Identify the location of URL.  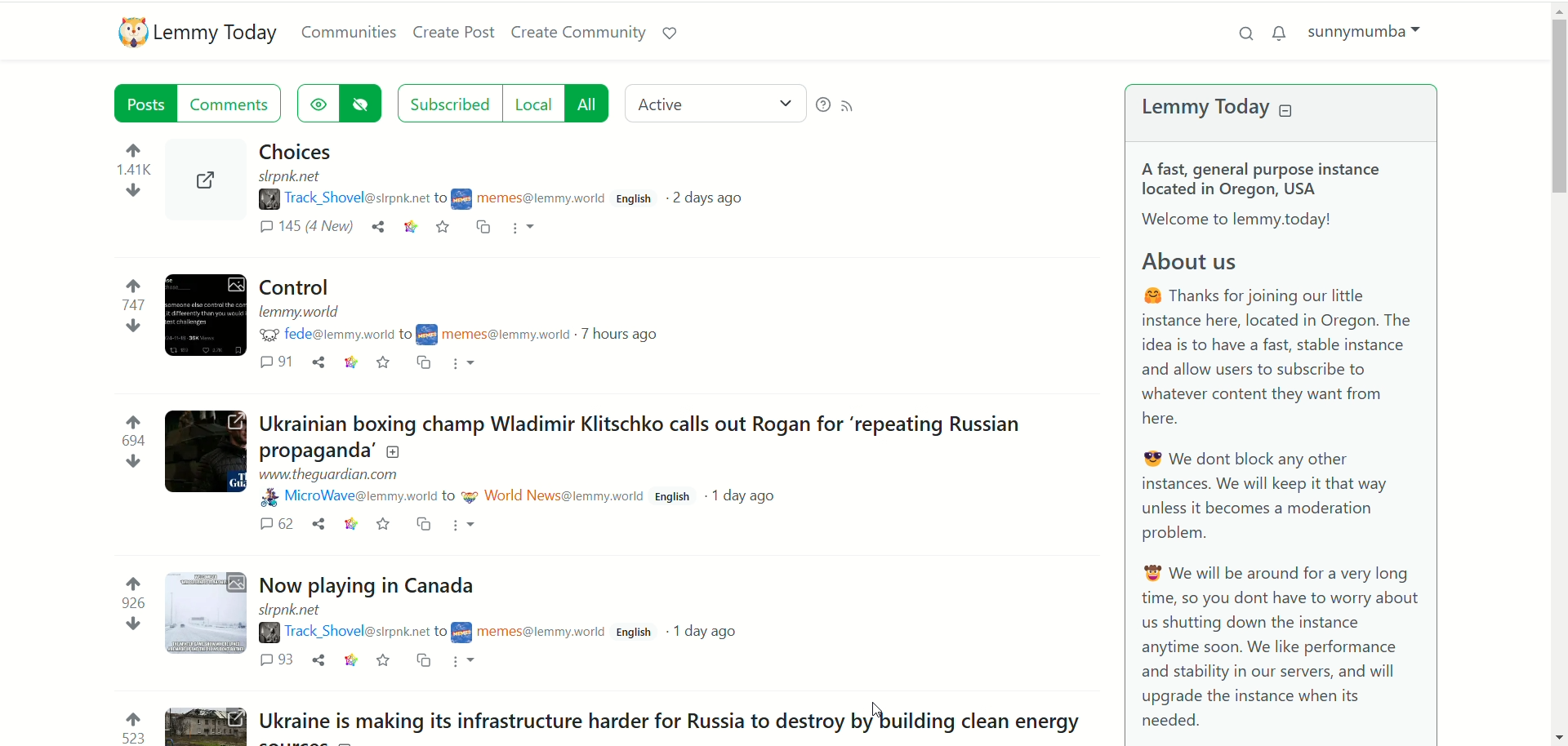
(332, 476).